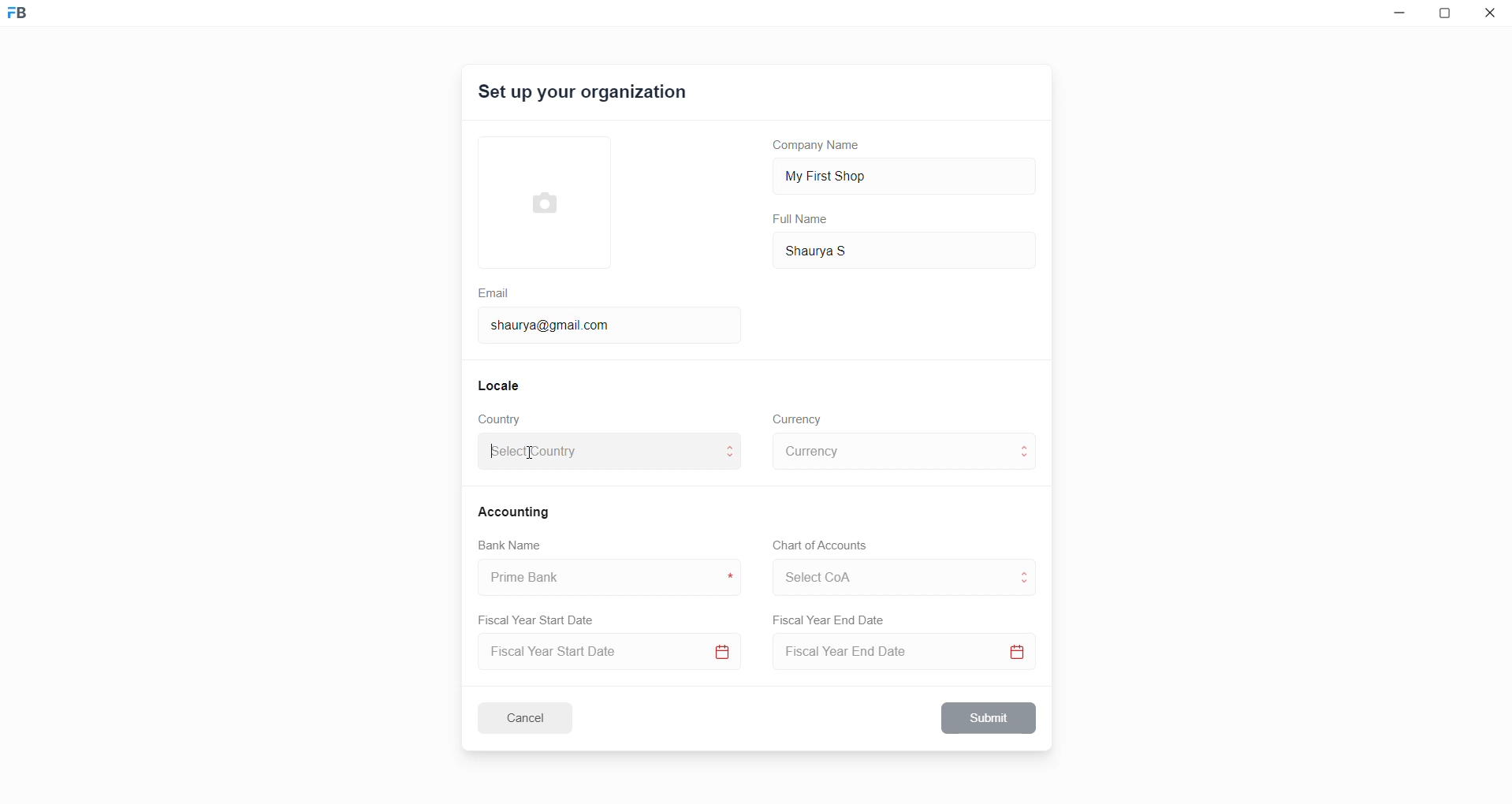 The width and height of the screenshot is (1512, 804). What do you see at coordinates (556, 323) in the screenshot?
I see `shaurya@gmail.com` at bounding box center [556, 323].